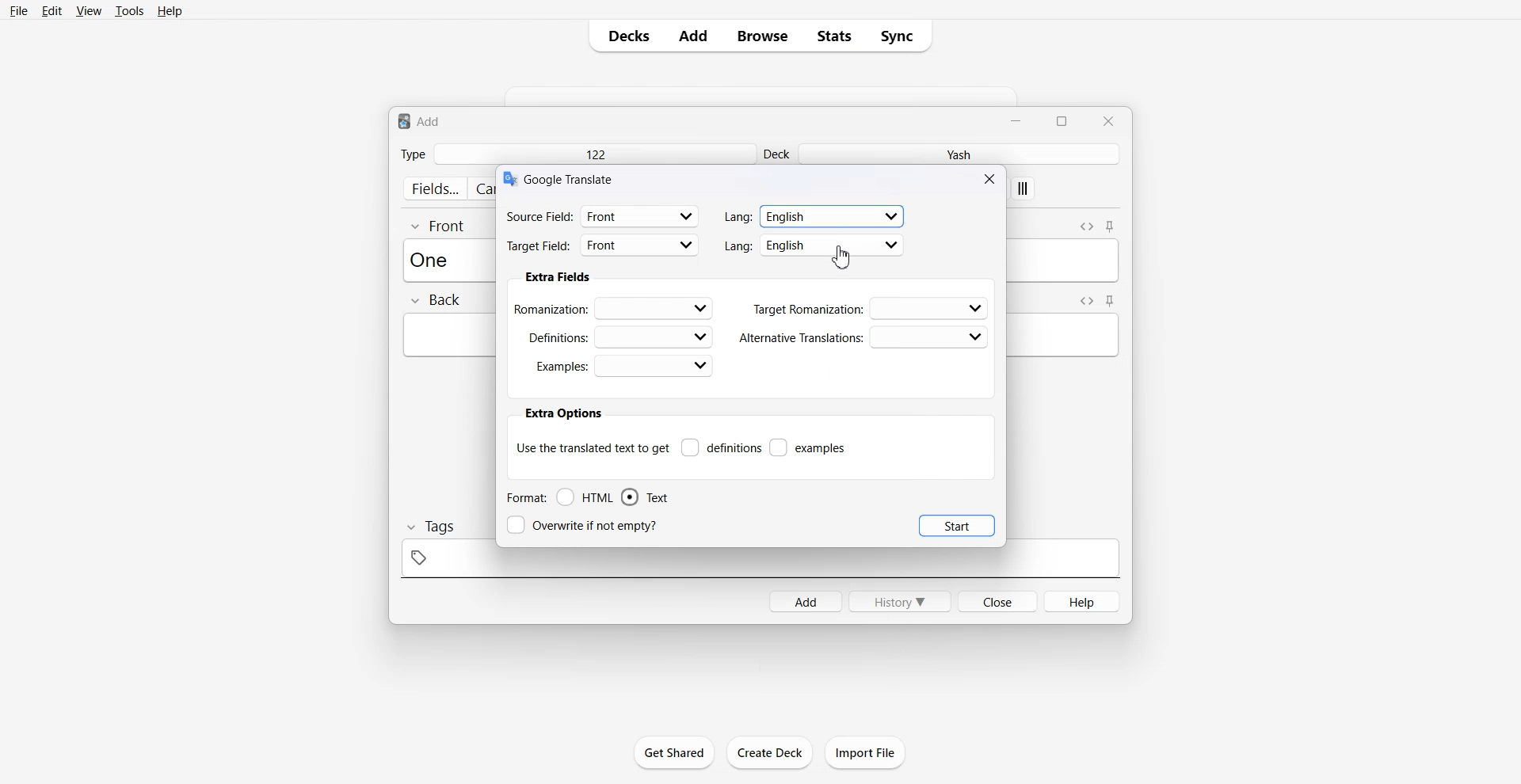 This screenshot has height=784, width=1521. I want to click on Extra fields, so click(558, 277).